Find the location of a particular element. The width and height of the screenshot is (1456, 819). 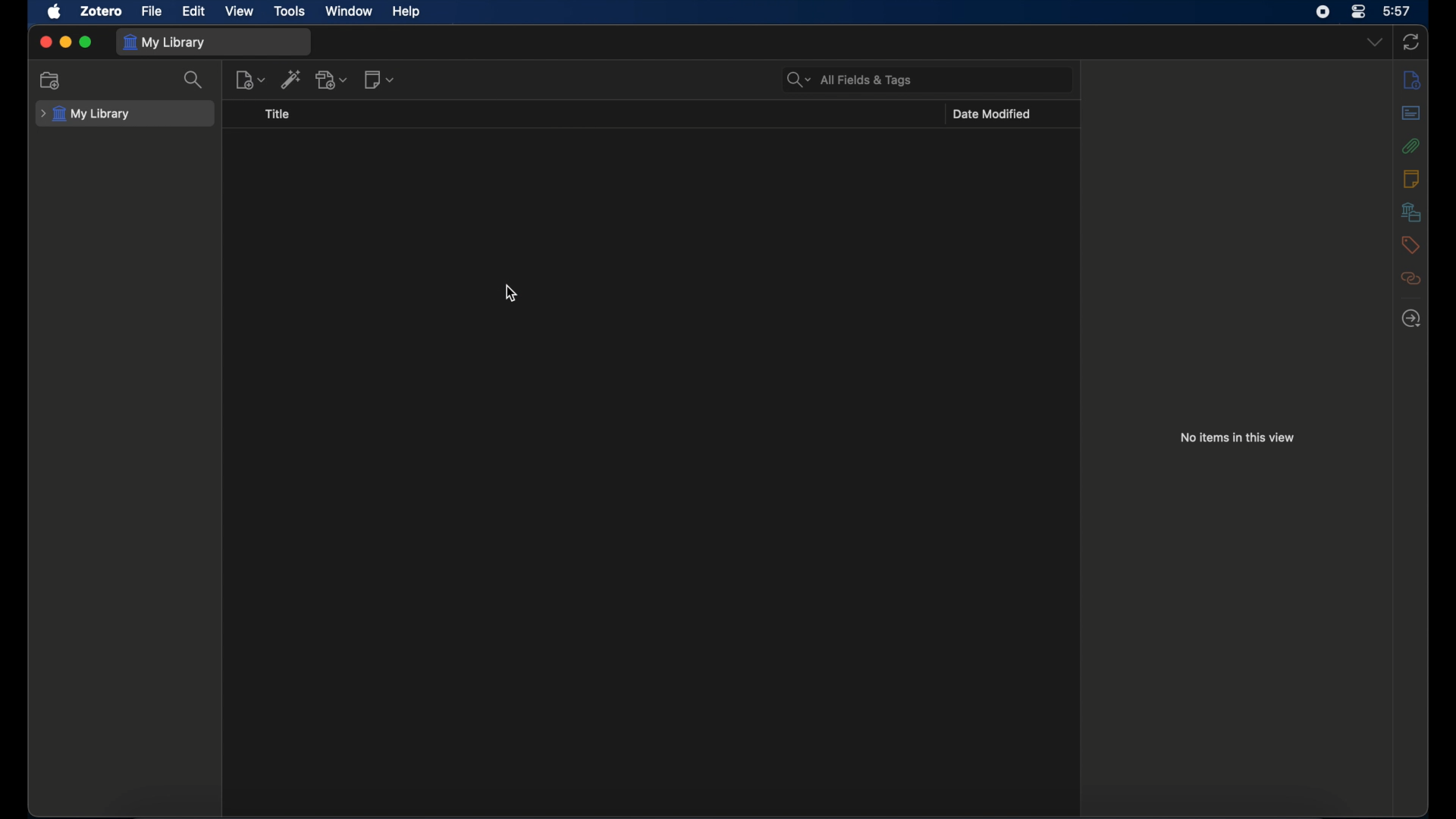

my library is located at coordinates (168, 42).